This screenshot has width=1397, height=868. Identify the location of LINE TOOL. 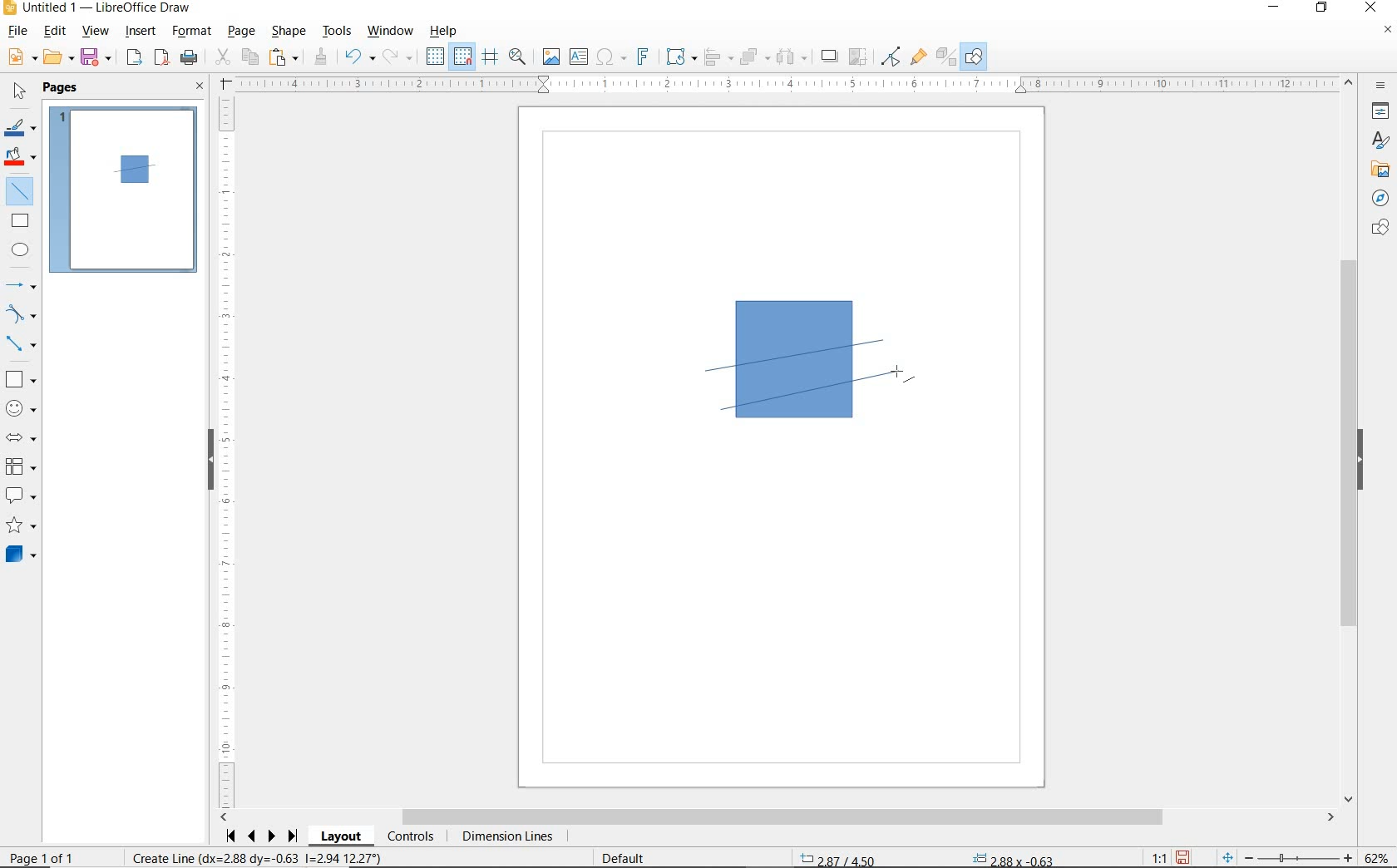
(729, 413).